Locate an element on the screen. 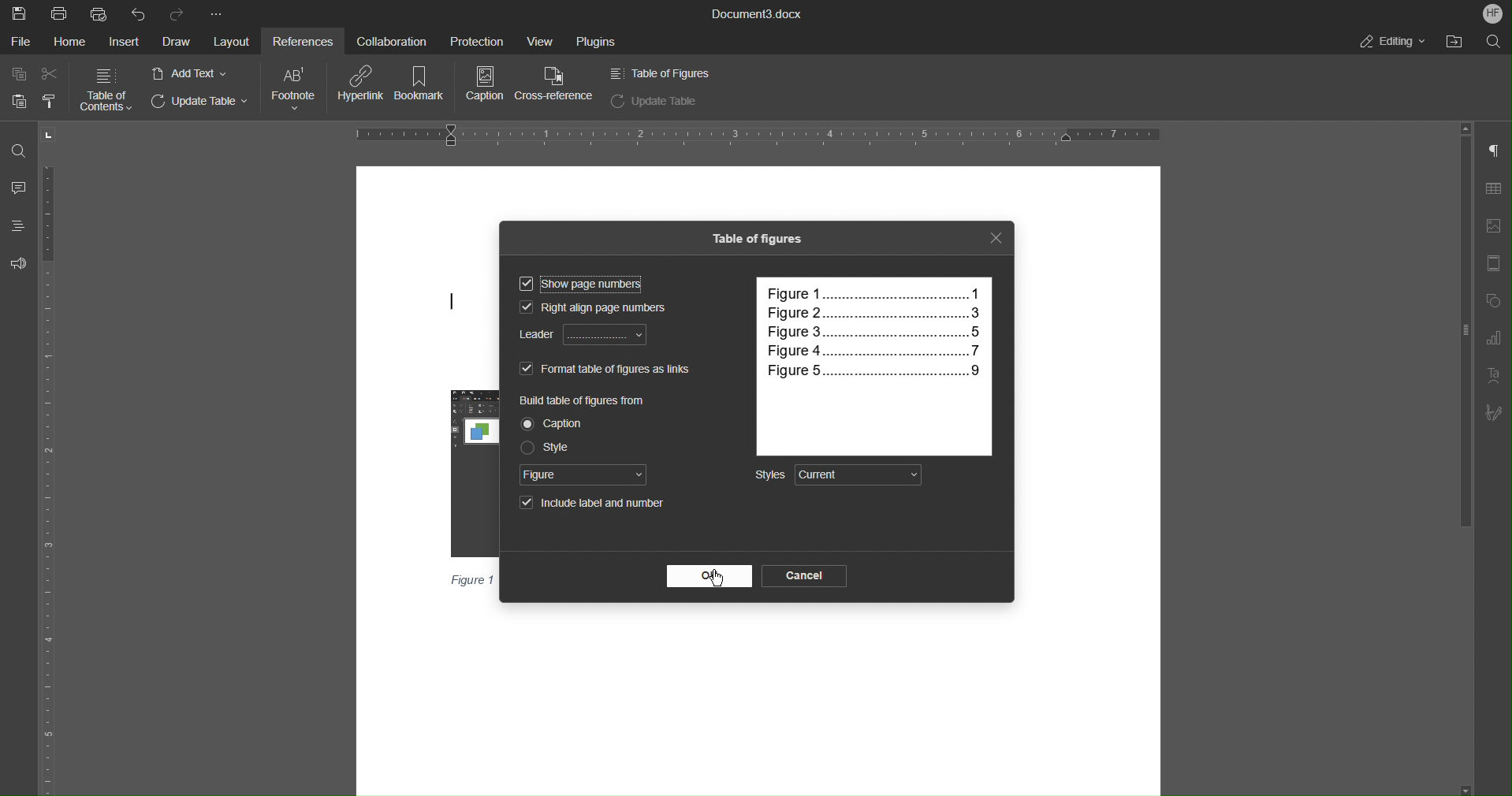  Header/Footer is located at coordinates (1492, 265).